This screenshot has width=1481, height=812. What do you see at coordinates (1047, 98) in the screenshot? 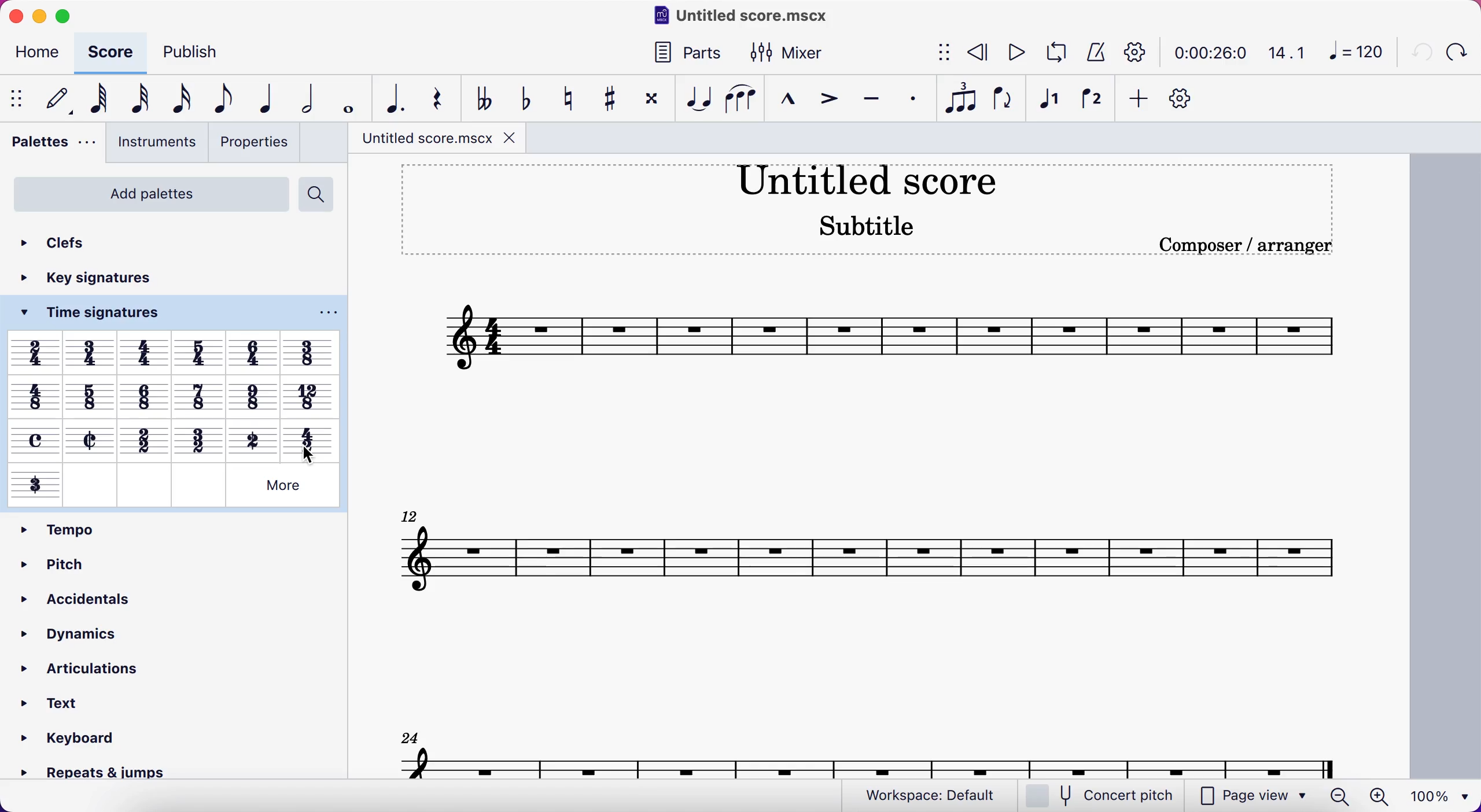
I see `voice 1` at bounding box center [1047, 98].